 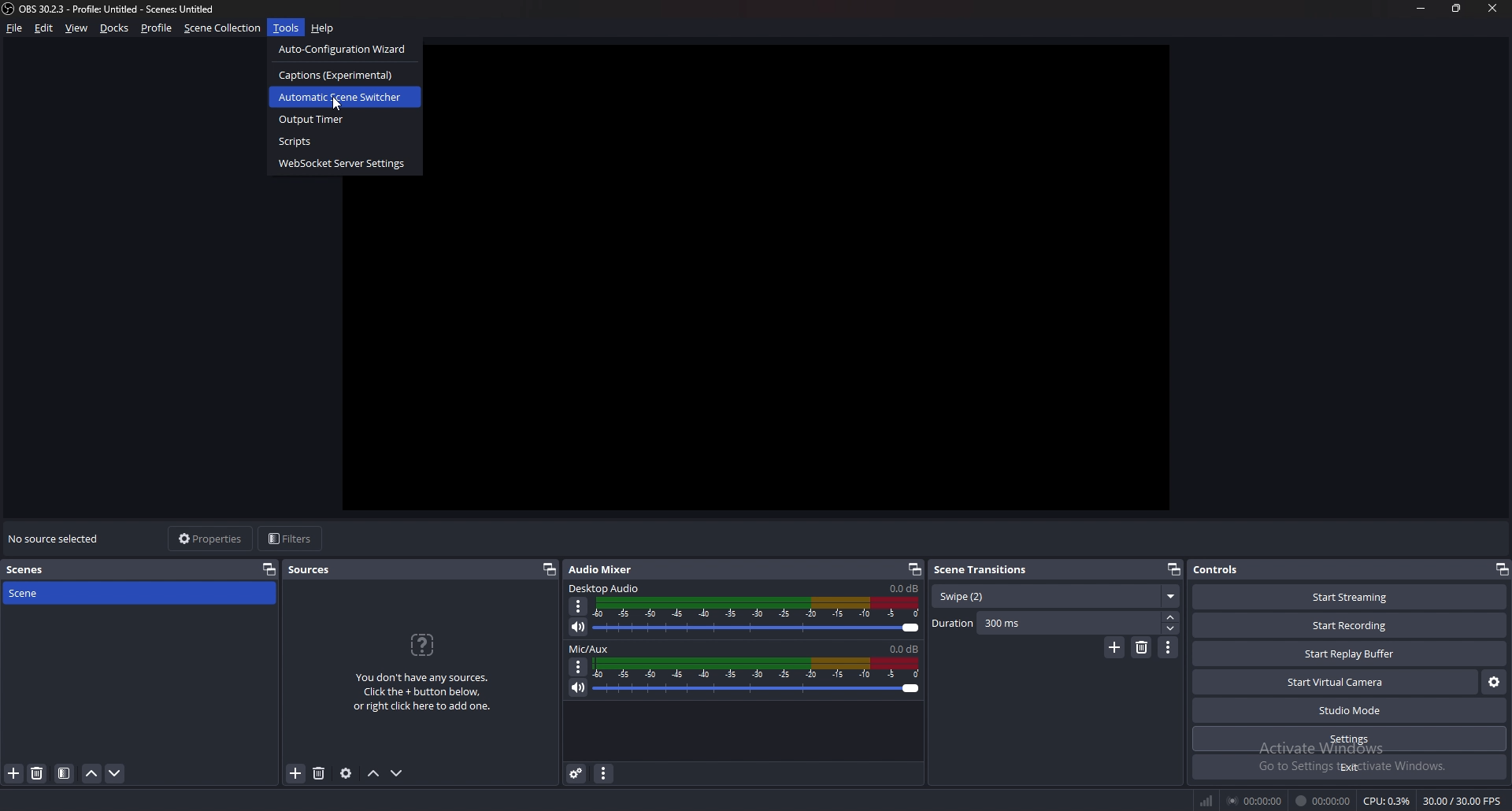 What do you see at coordinates (341, 97) in the screenshot?
I see `automatic scene switcher` at bounding box center [341, 97].